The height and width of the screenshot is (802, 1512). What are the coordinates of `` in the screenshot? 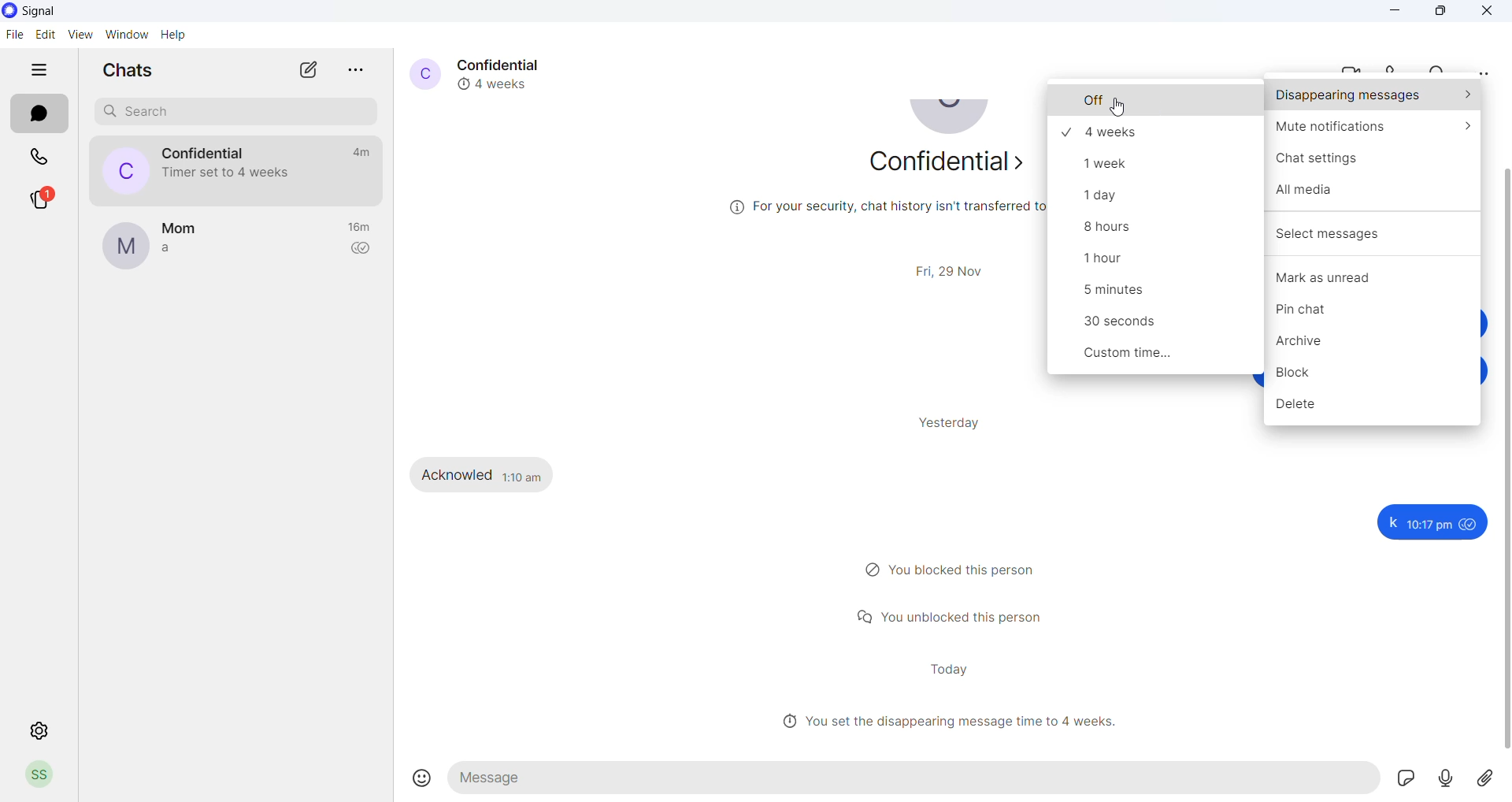 It's located at (1404, 778).